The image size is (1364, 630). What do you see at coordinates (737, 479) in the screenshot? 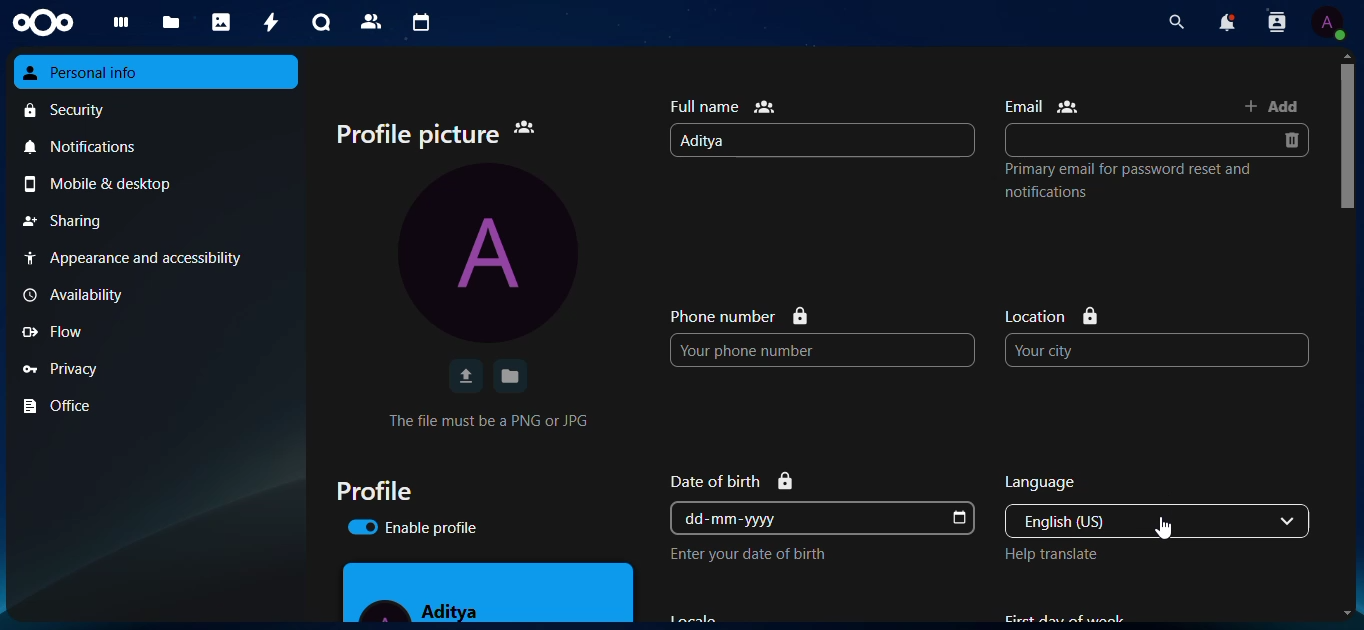
I see `date of birth` at bounding box center [737, 479].